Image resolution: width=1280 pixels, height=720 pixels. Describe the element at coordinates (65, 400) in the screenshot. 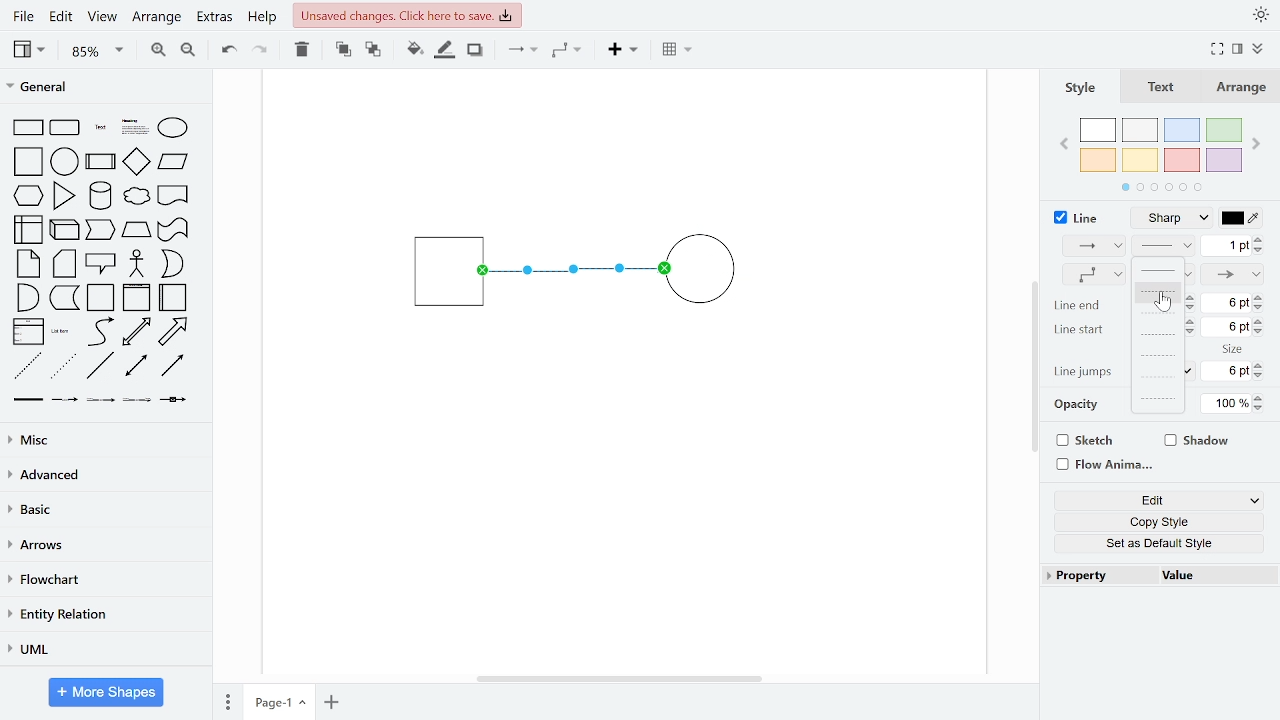

I see `connector with label` at that location.